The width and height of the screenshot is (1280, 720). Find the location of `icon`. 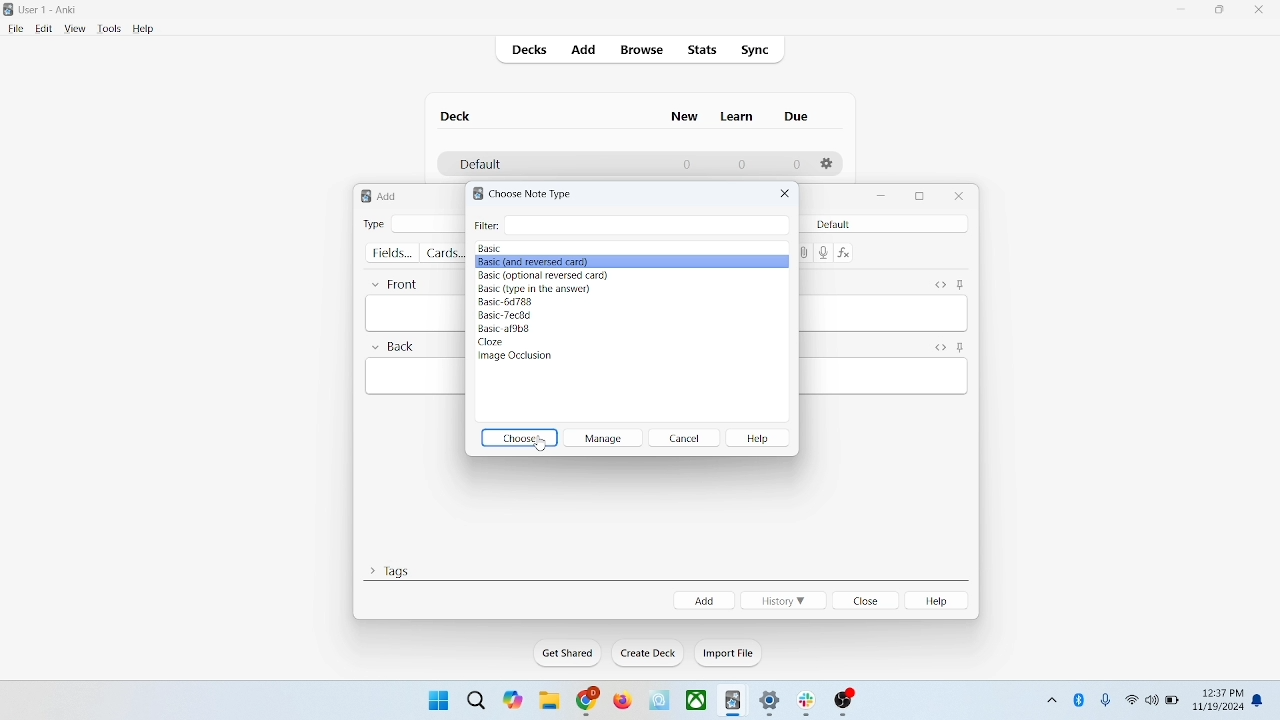

icon is located at coordinates (661, 701).